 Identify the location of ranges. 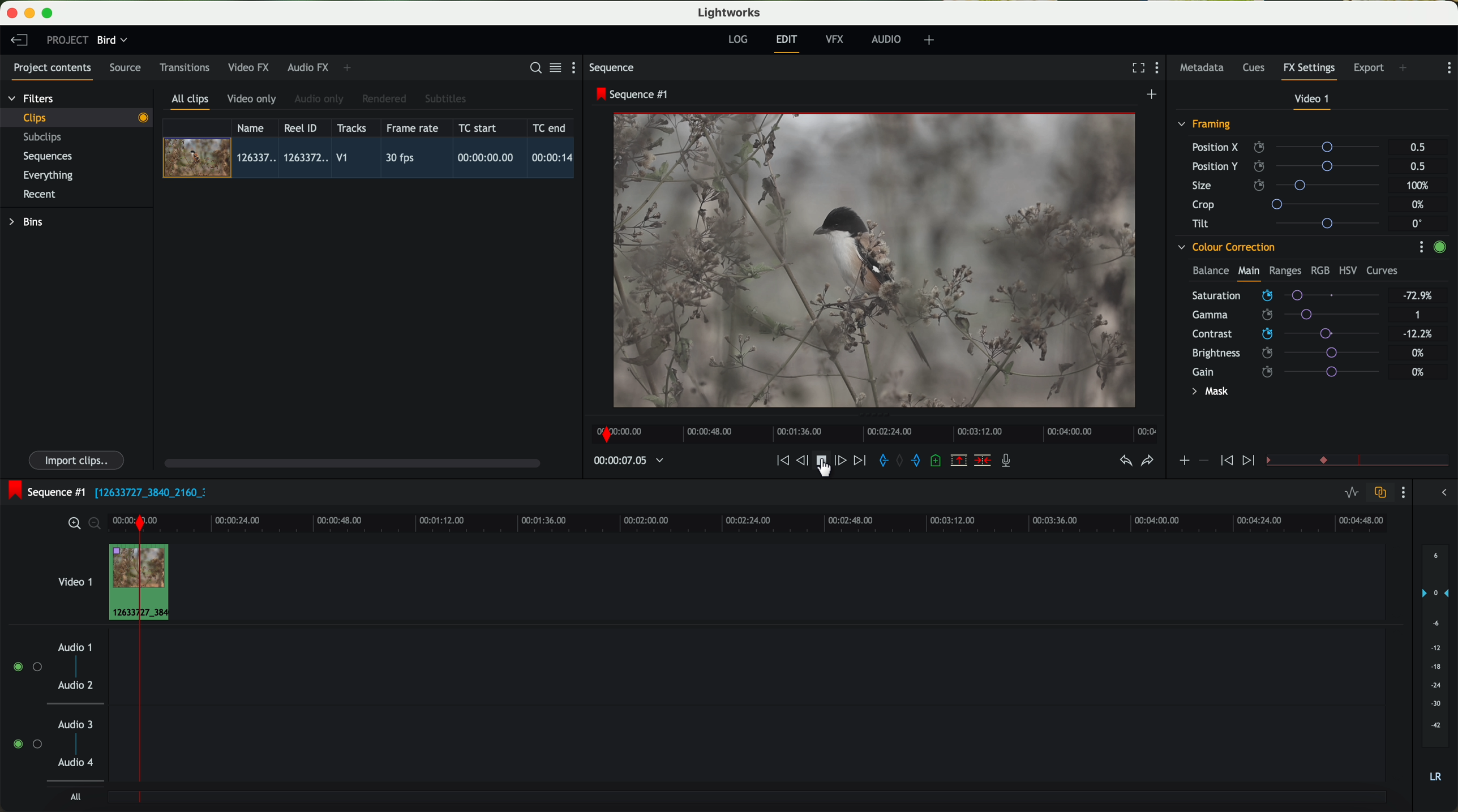
(1285, 270).